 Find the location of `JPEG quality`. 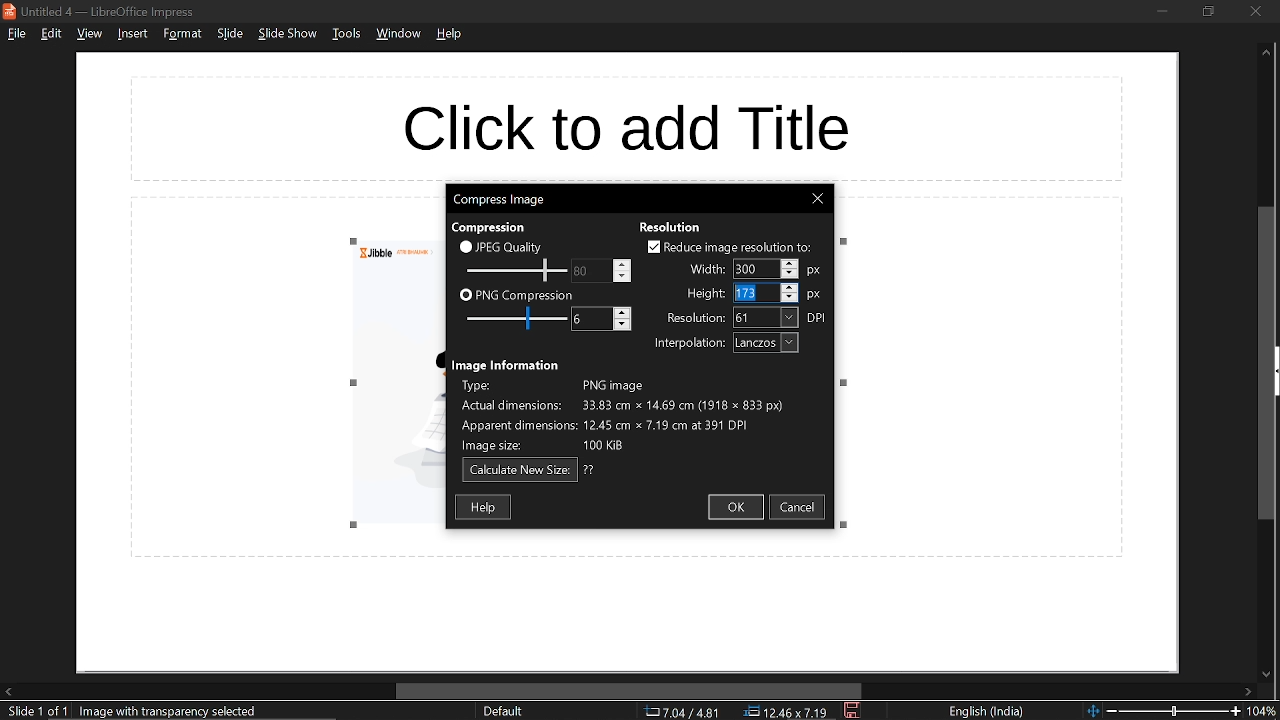

JPEG quality is located at coordinates (512, 247).